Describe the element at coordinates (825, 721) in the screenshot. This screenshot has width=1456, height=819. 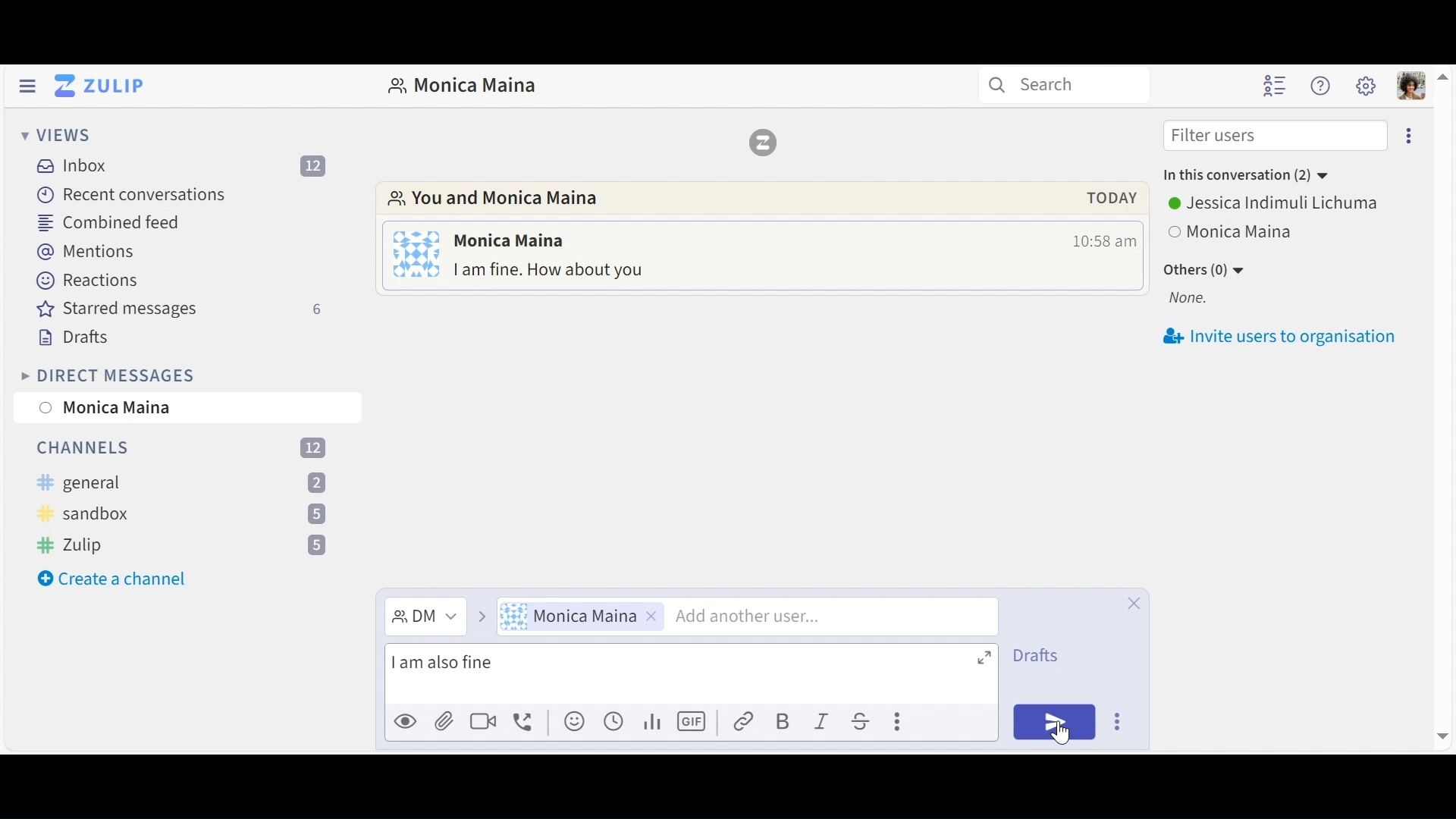
I see `Italics` at that location.